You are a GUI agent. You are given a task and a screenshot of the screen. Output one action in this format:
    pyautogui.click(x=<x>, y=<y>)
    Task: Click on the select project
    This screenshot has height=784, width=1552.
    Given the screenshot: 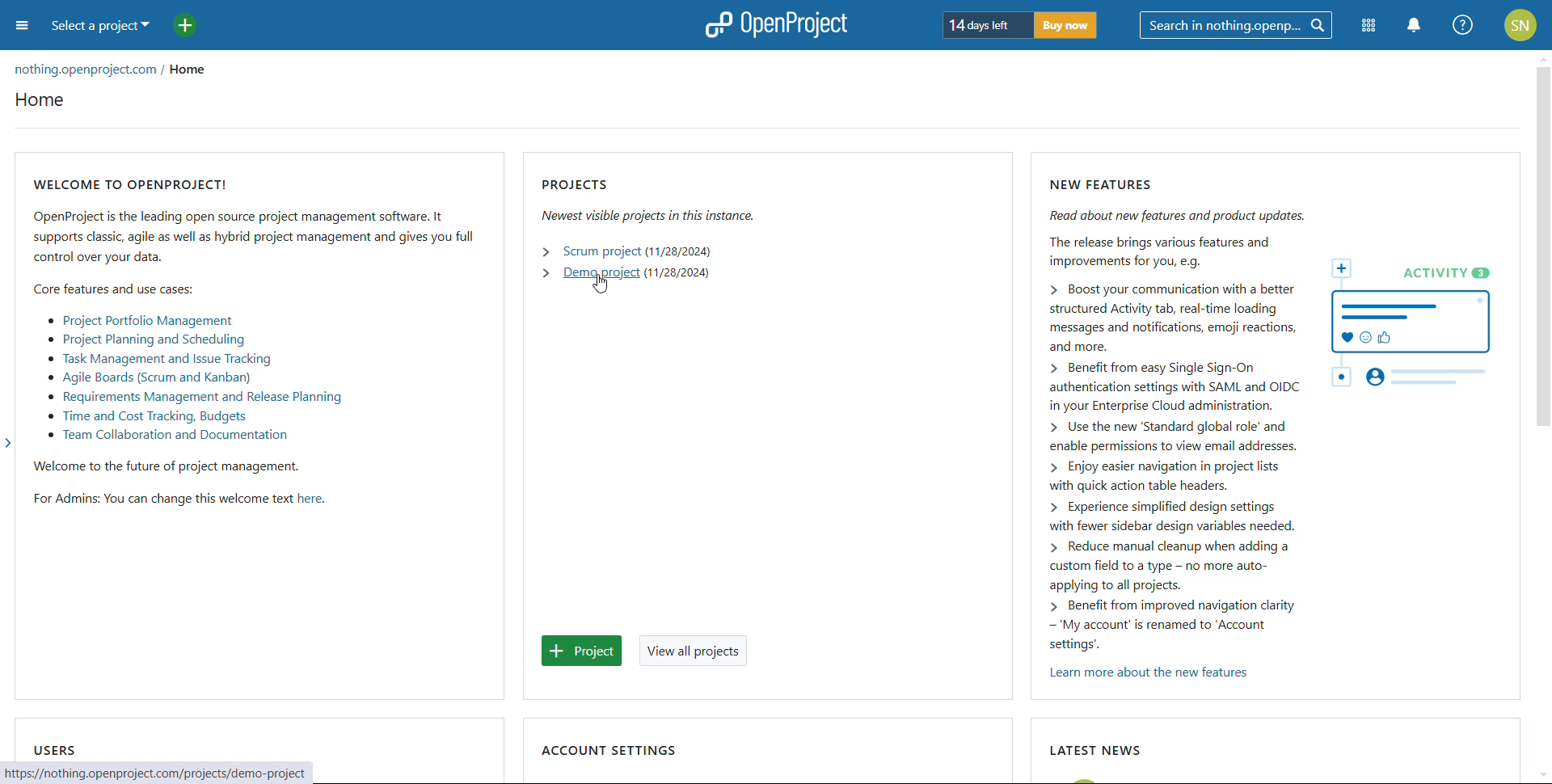 What is the action you would take?
    pyautogui.click(x=101, y=27)
    